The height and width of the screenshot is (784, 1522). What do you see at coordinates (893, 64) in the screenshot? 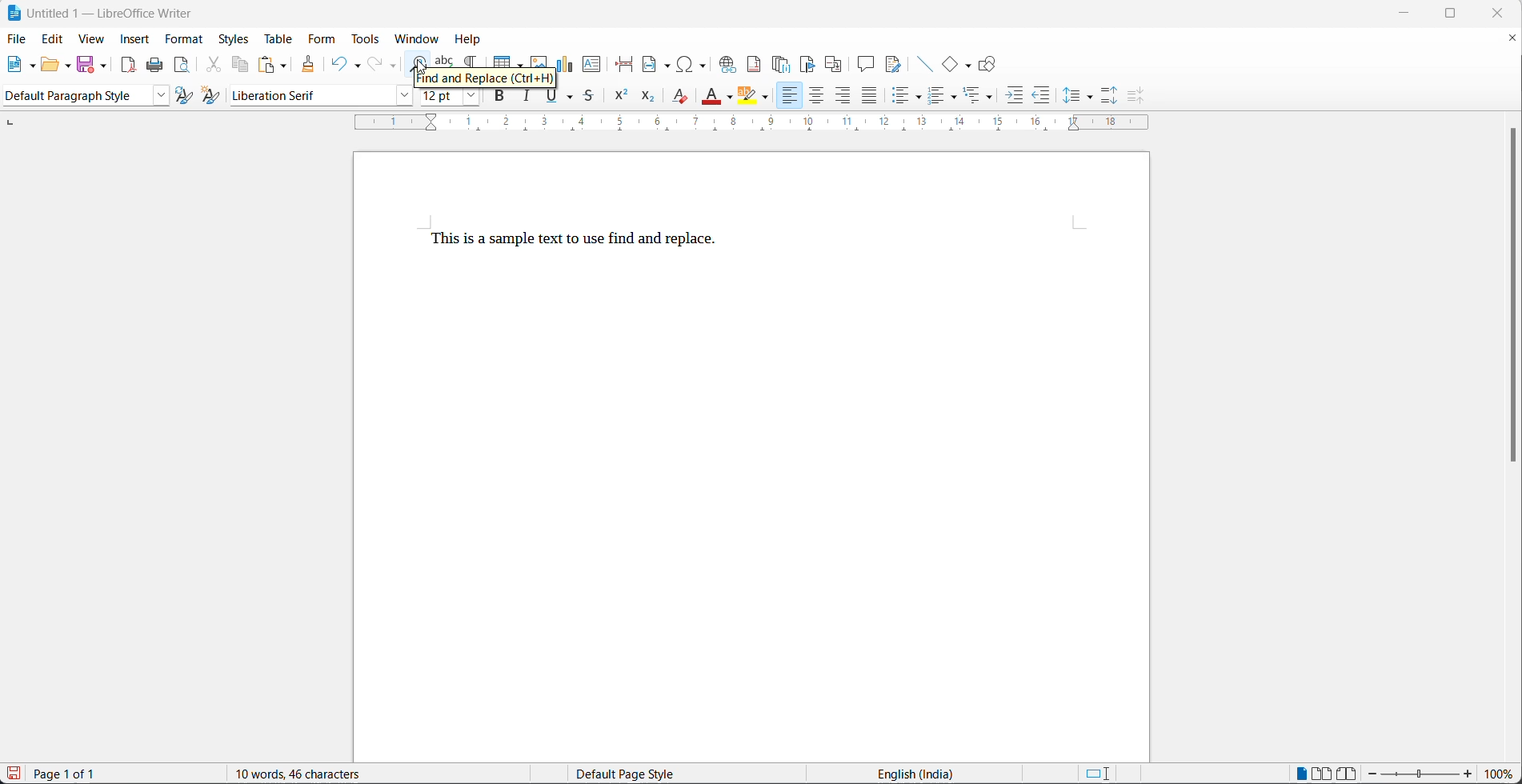
I see `show track changes functions` at bounding box center [893, 64].